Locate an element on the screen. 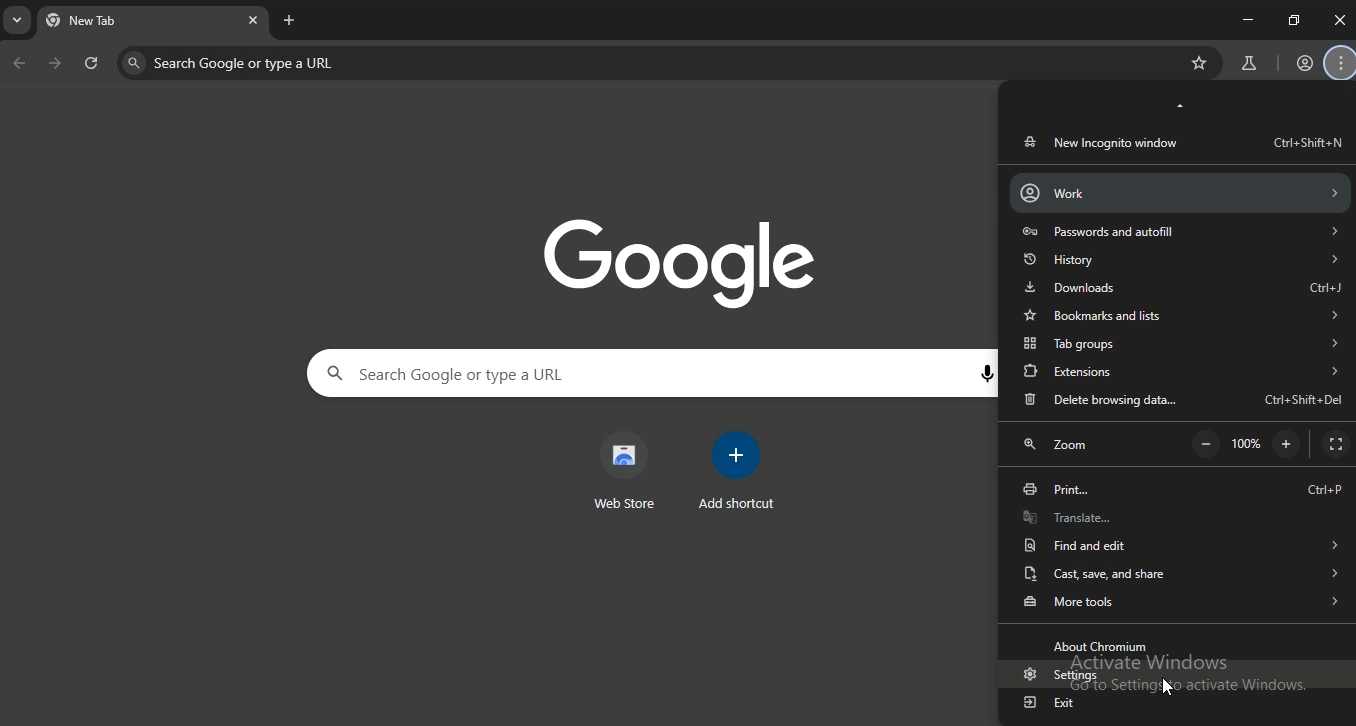  click to go back is located at coordinates (19, 64).